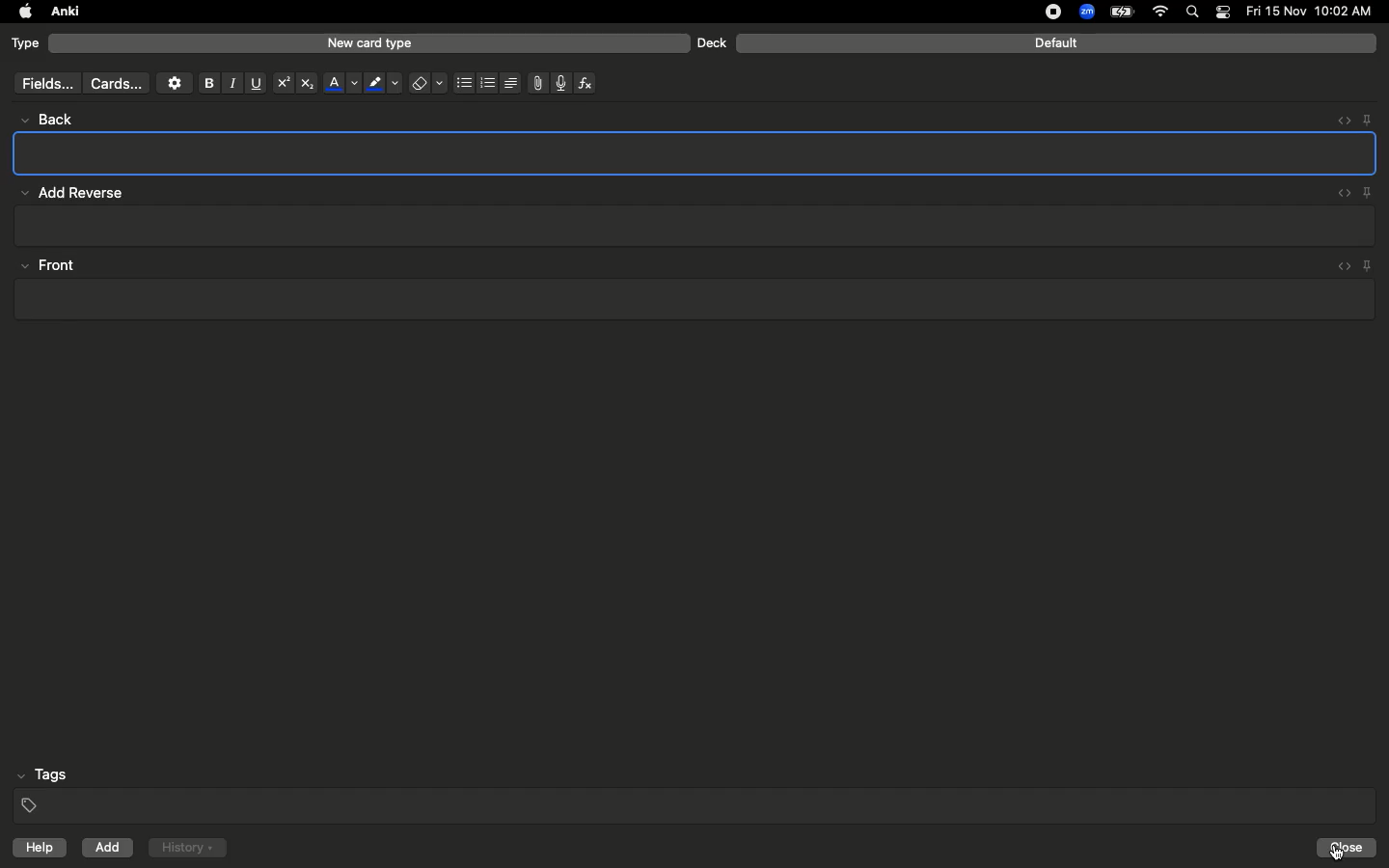 The height and width of the screenshot is (868, 1389). I want to click on Default, so click(1056, 43).